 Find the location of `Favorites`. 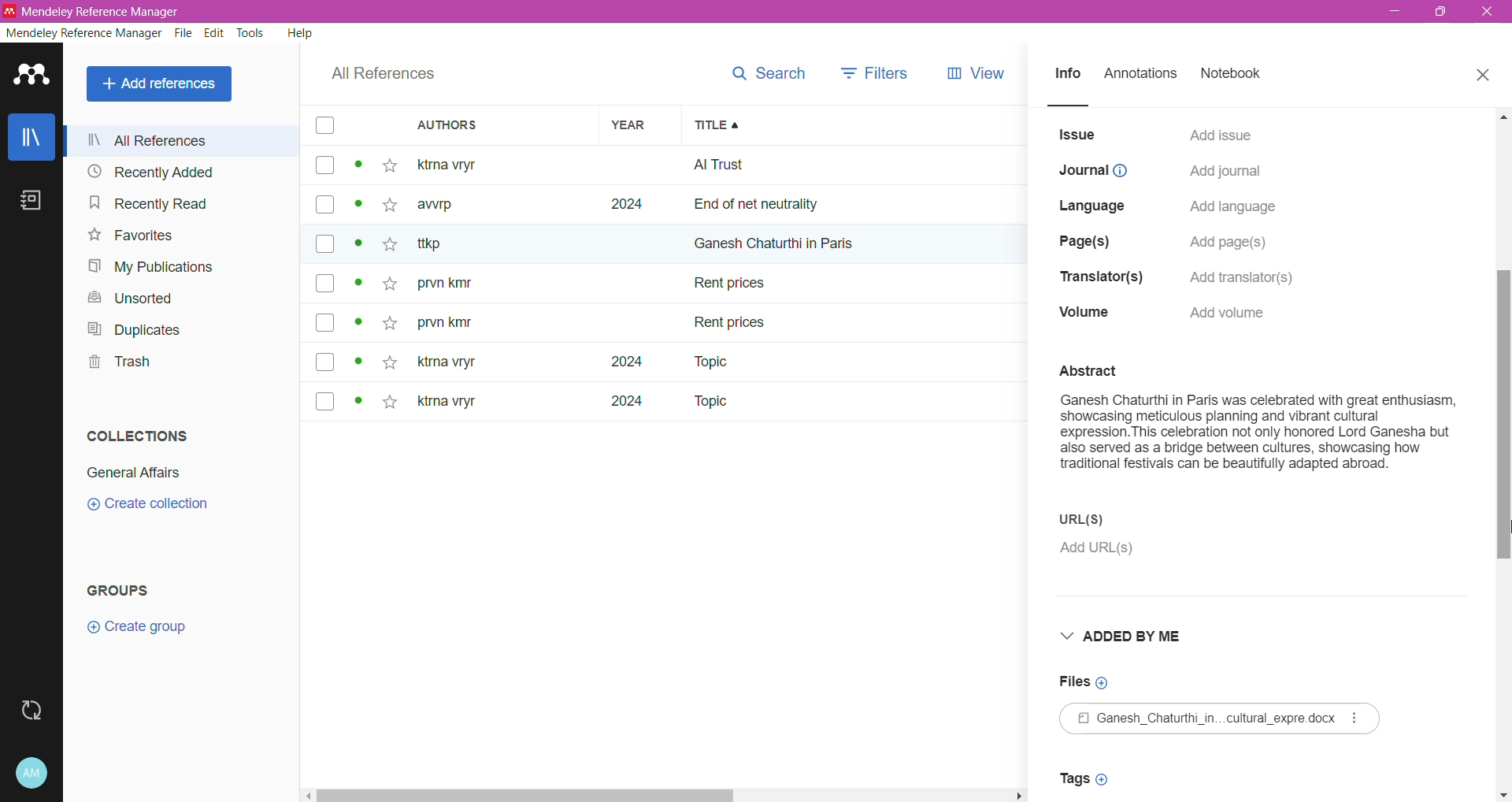

Favorites is located at coordinates (130, 236).